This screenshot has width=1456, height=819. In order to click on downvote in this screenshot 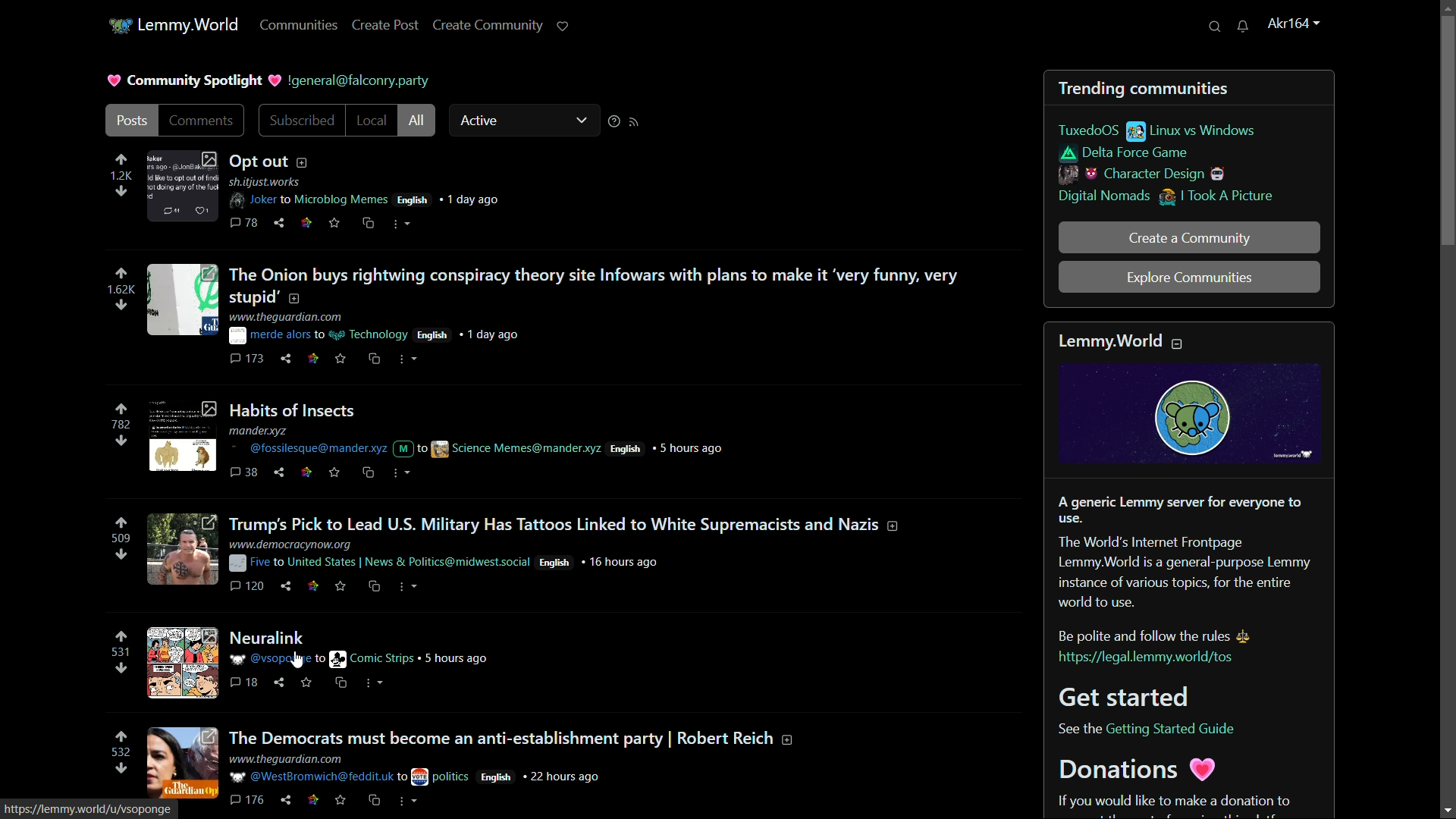, I will do `click(122, 767)`.